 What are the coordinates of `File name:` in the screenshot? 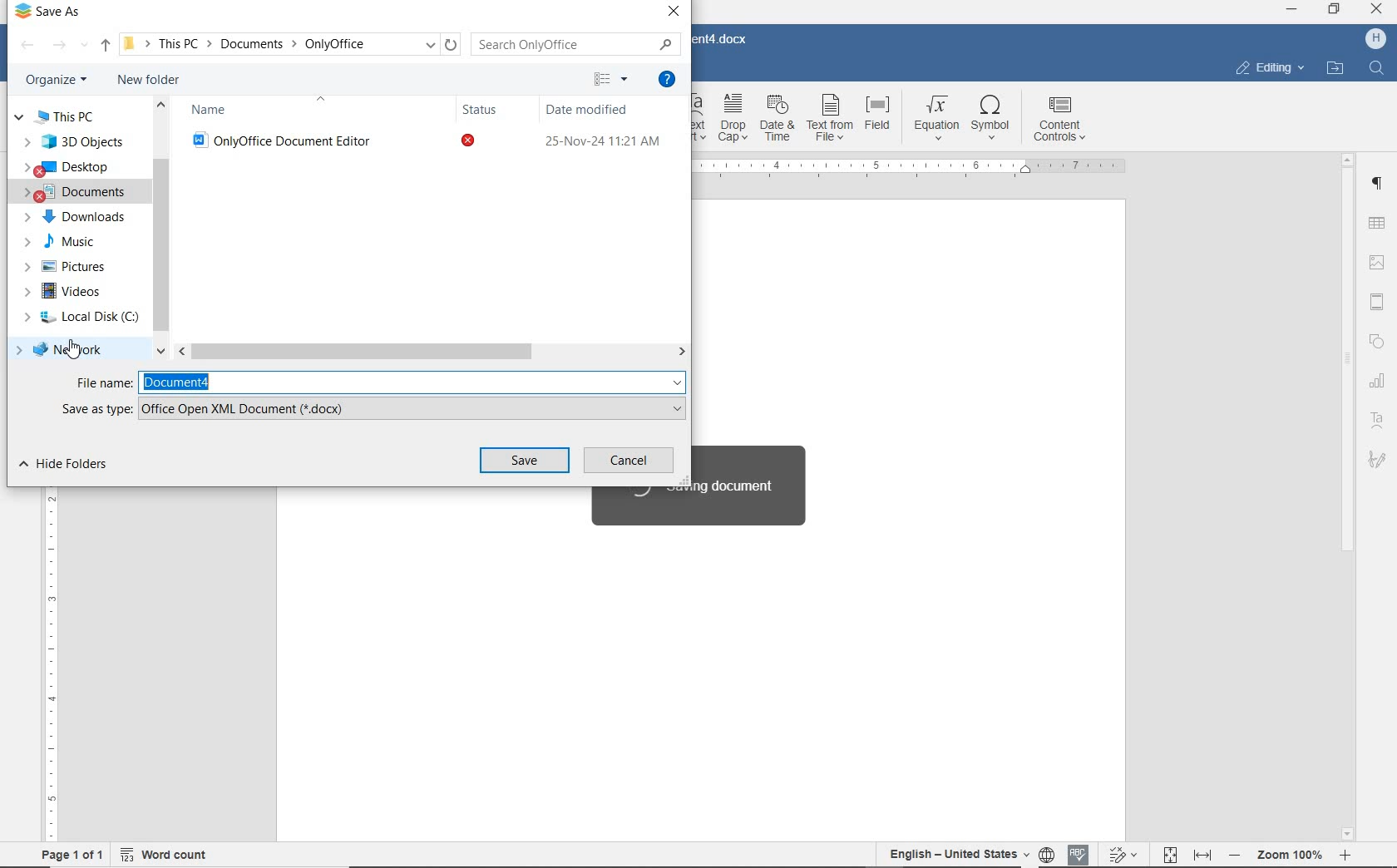 It's located at (102, 384).